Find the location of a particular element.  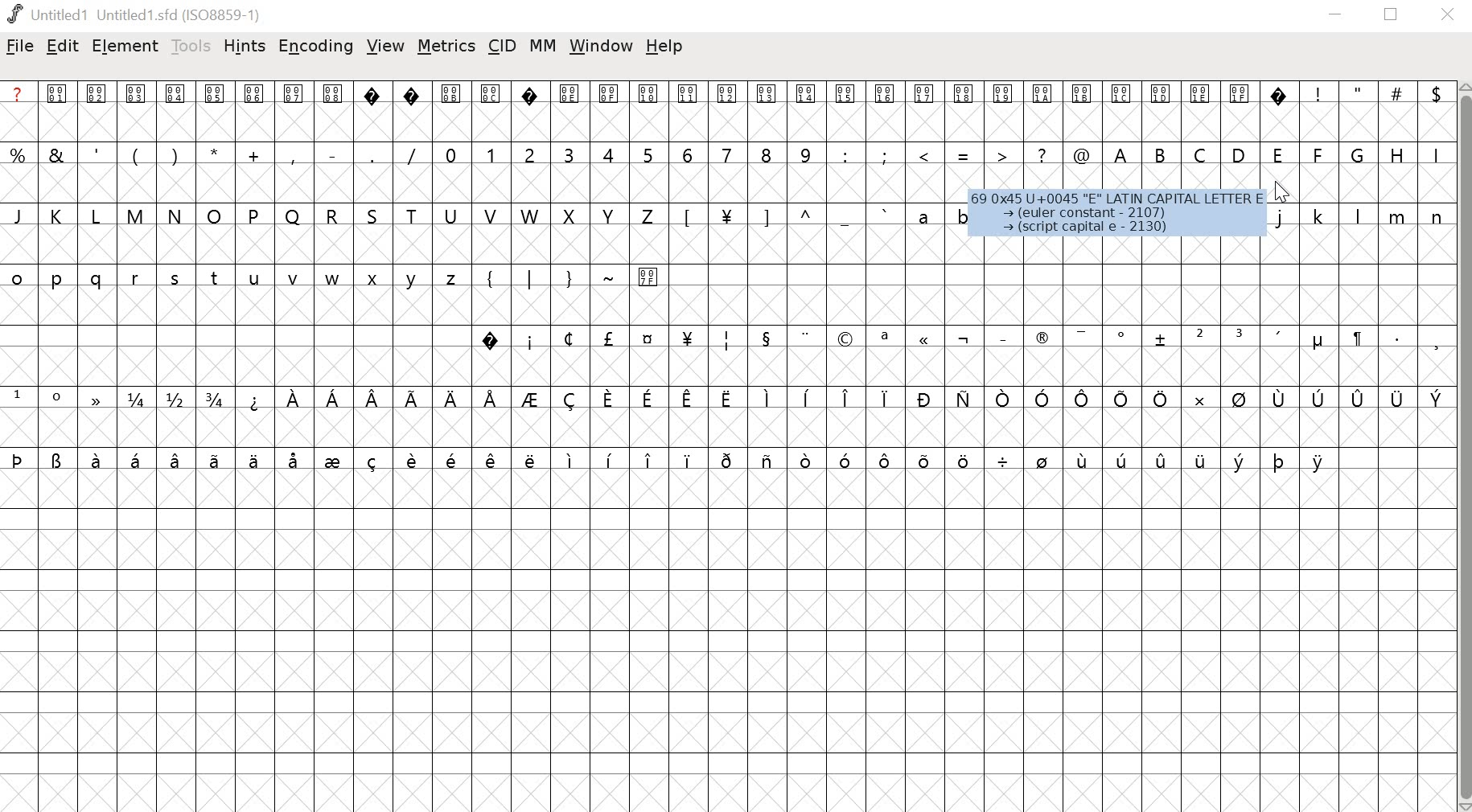

numbers is located at coordinates (630, 153).